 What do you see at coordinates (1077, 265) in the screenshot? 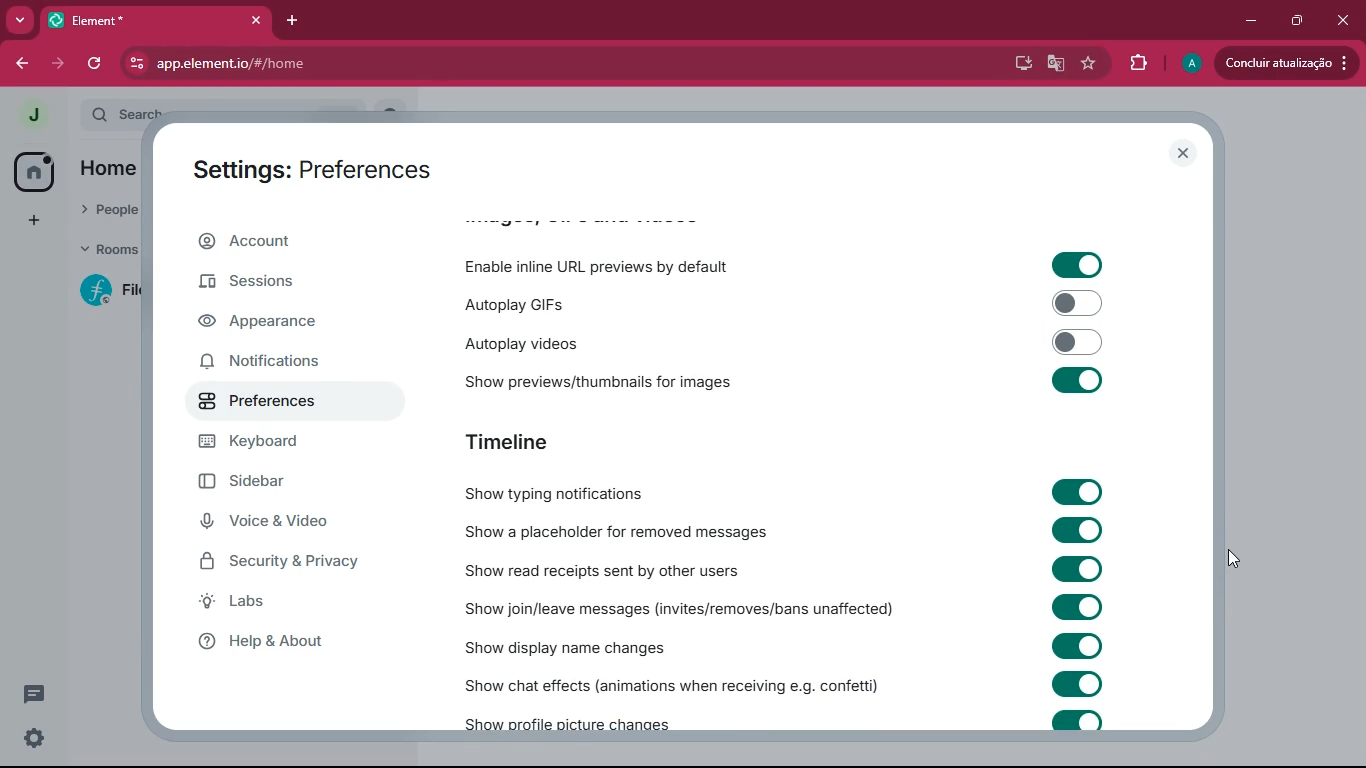
I see `toggle on/off` at bounding box center [1077, 265].